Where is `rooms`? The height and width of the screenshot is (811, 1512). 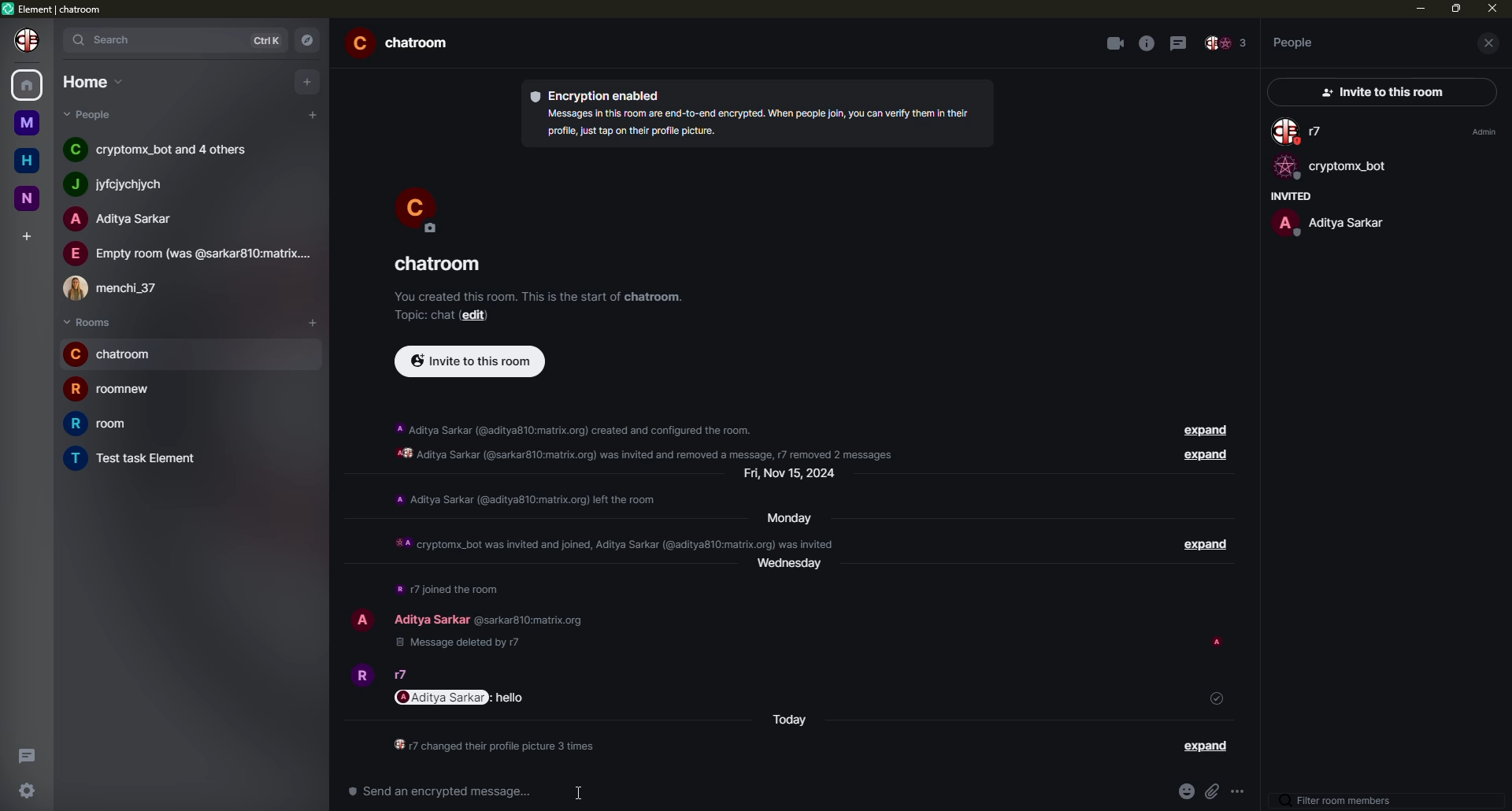 rooms is located at coordinates (88, 323).